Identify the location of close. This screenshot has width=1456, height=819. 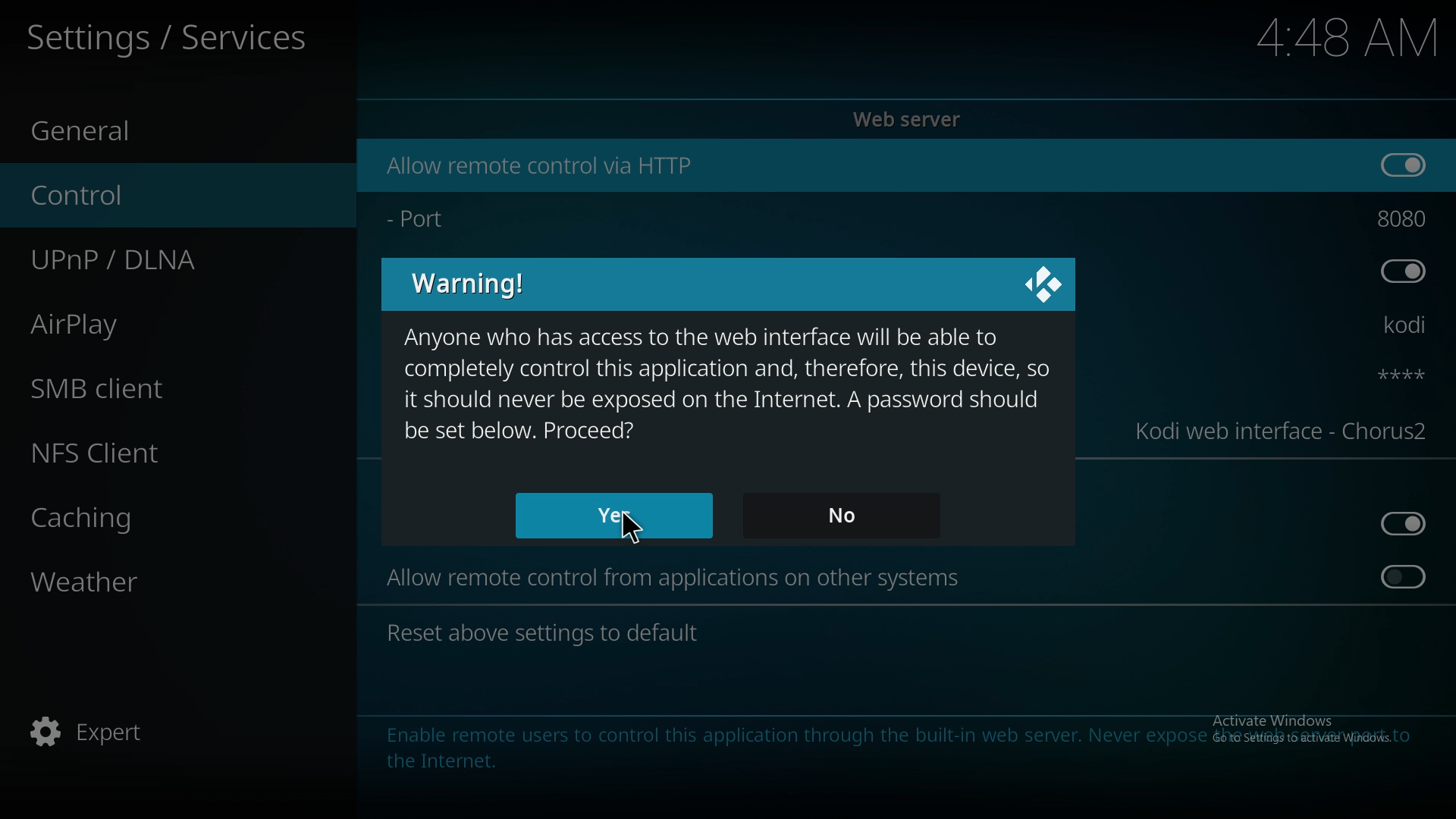
(1043, 286).